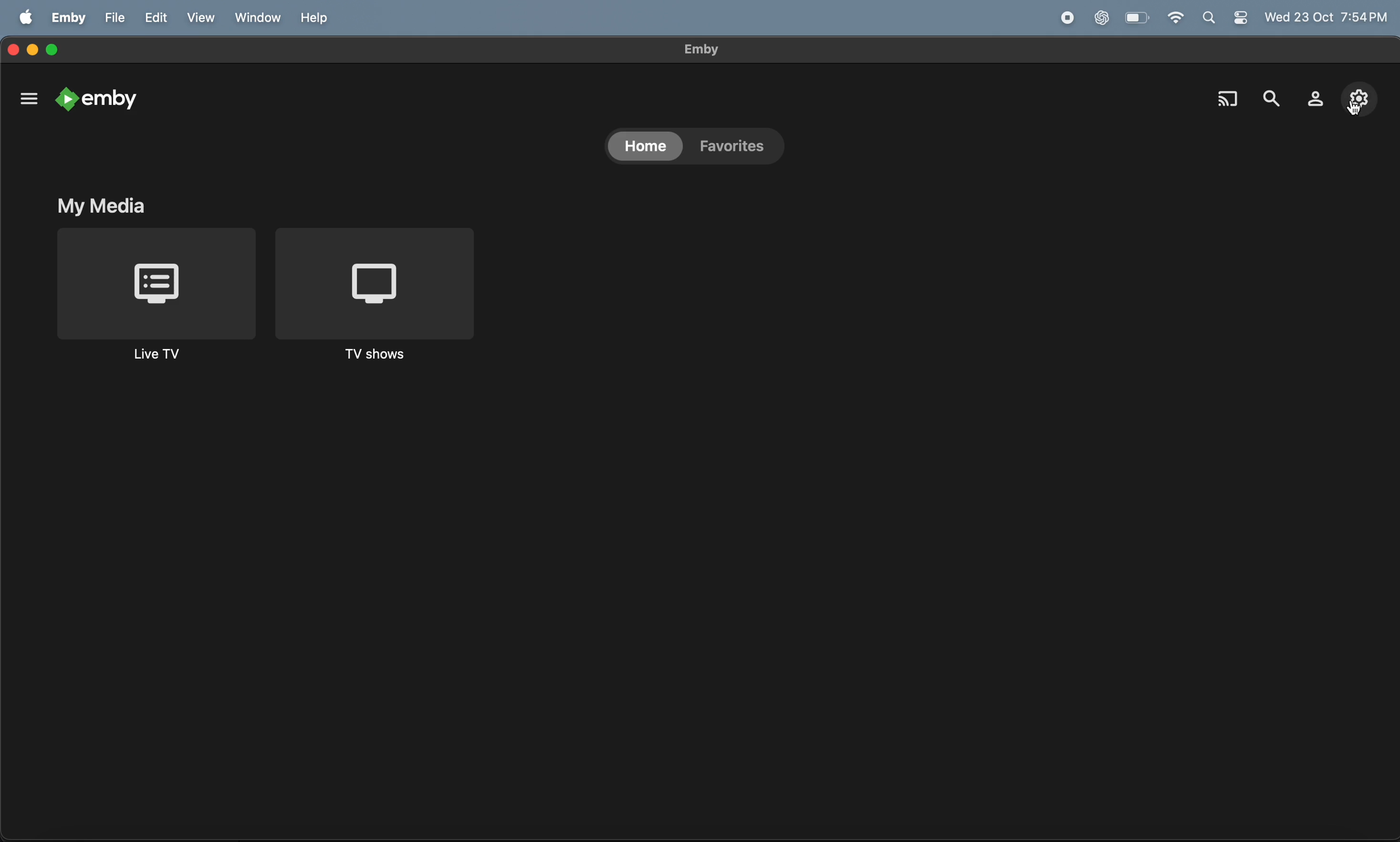 The height and width of the screenshot is (842, 1400). I want to click on live tv, so click(155, 297).